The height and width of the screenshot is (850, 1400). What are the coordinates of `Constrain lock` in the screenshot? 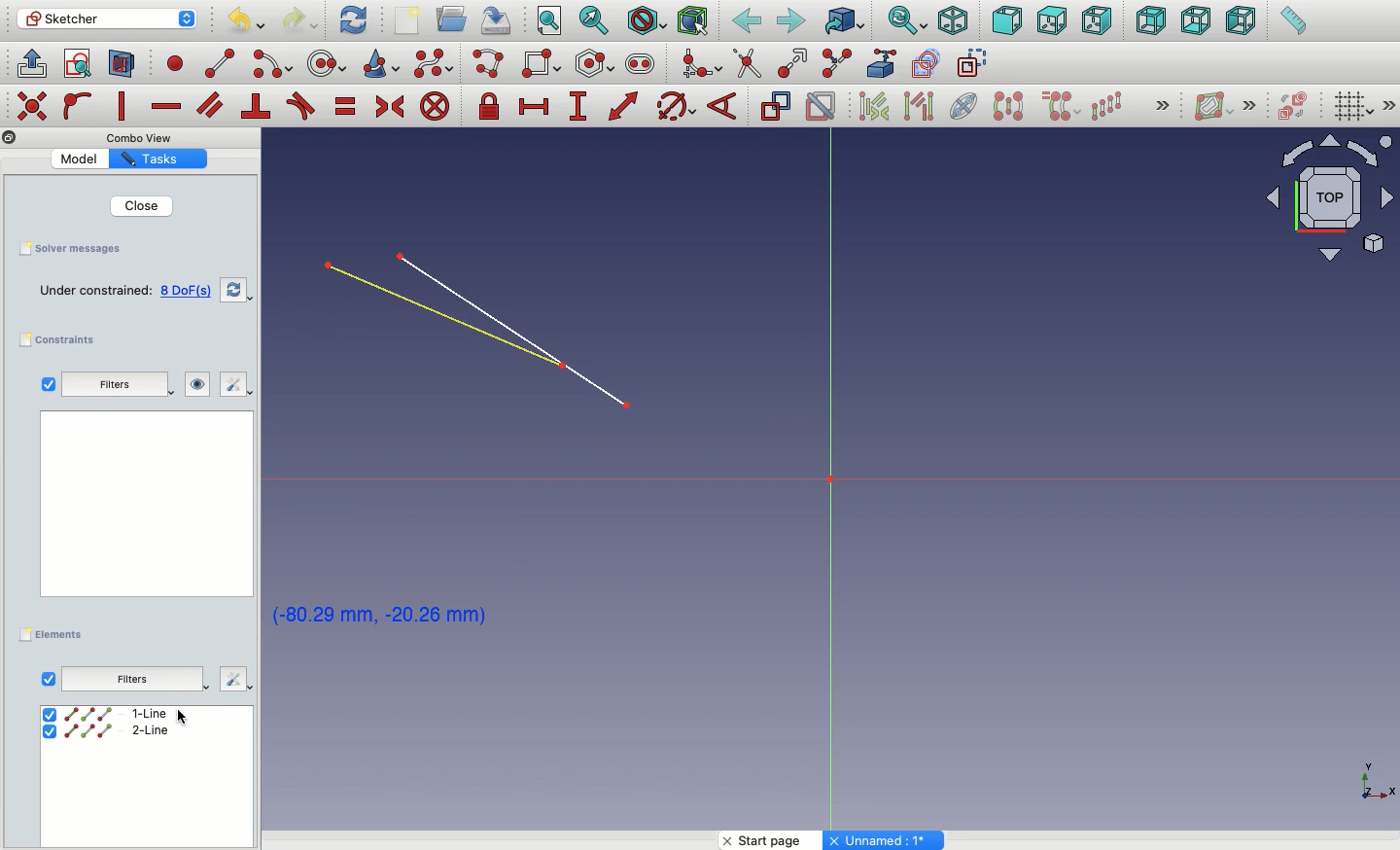 It's located at (492, 106).